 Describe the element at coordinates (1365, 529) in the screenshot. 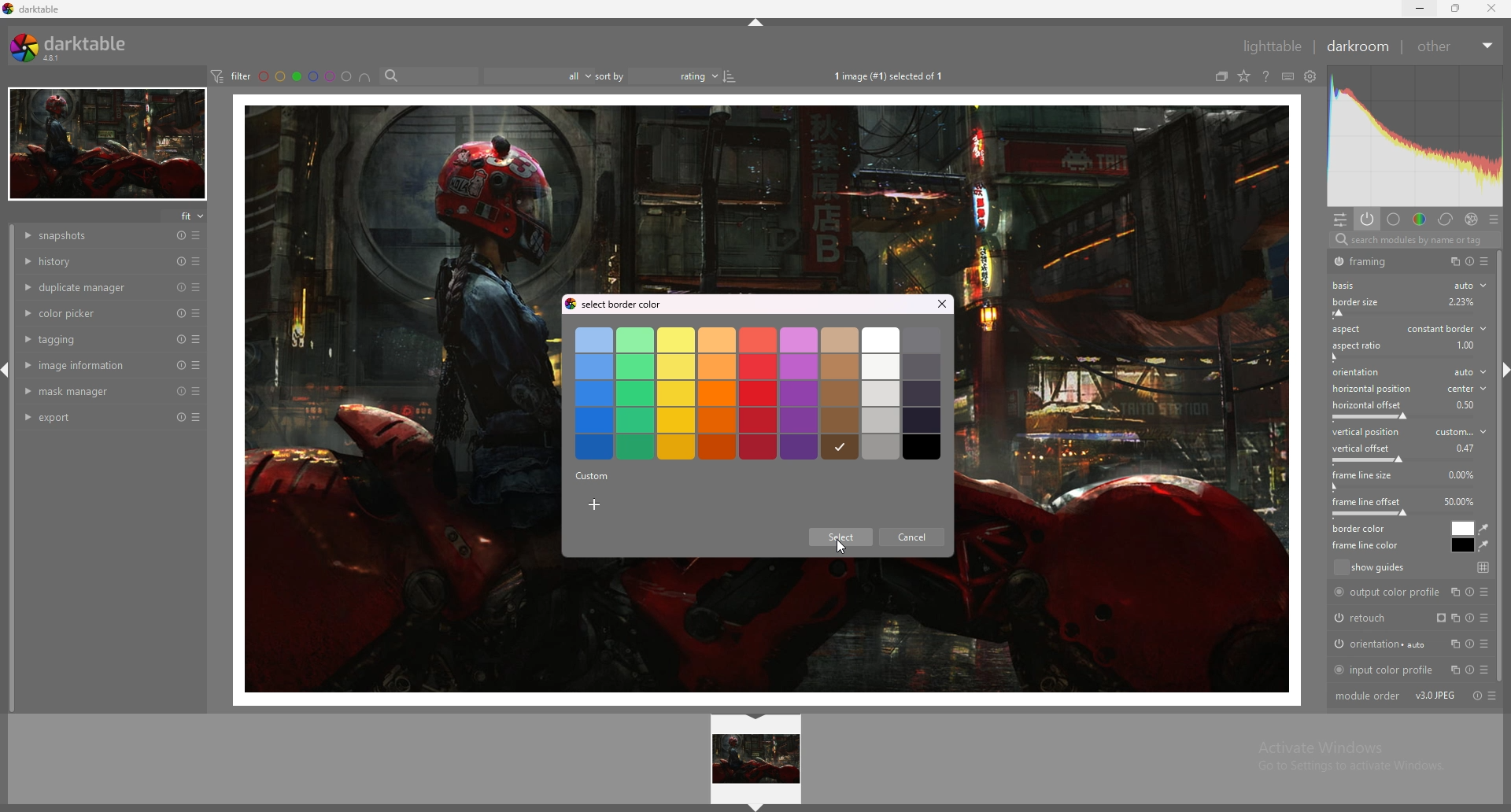

I see `border color` at that location.